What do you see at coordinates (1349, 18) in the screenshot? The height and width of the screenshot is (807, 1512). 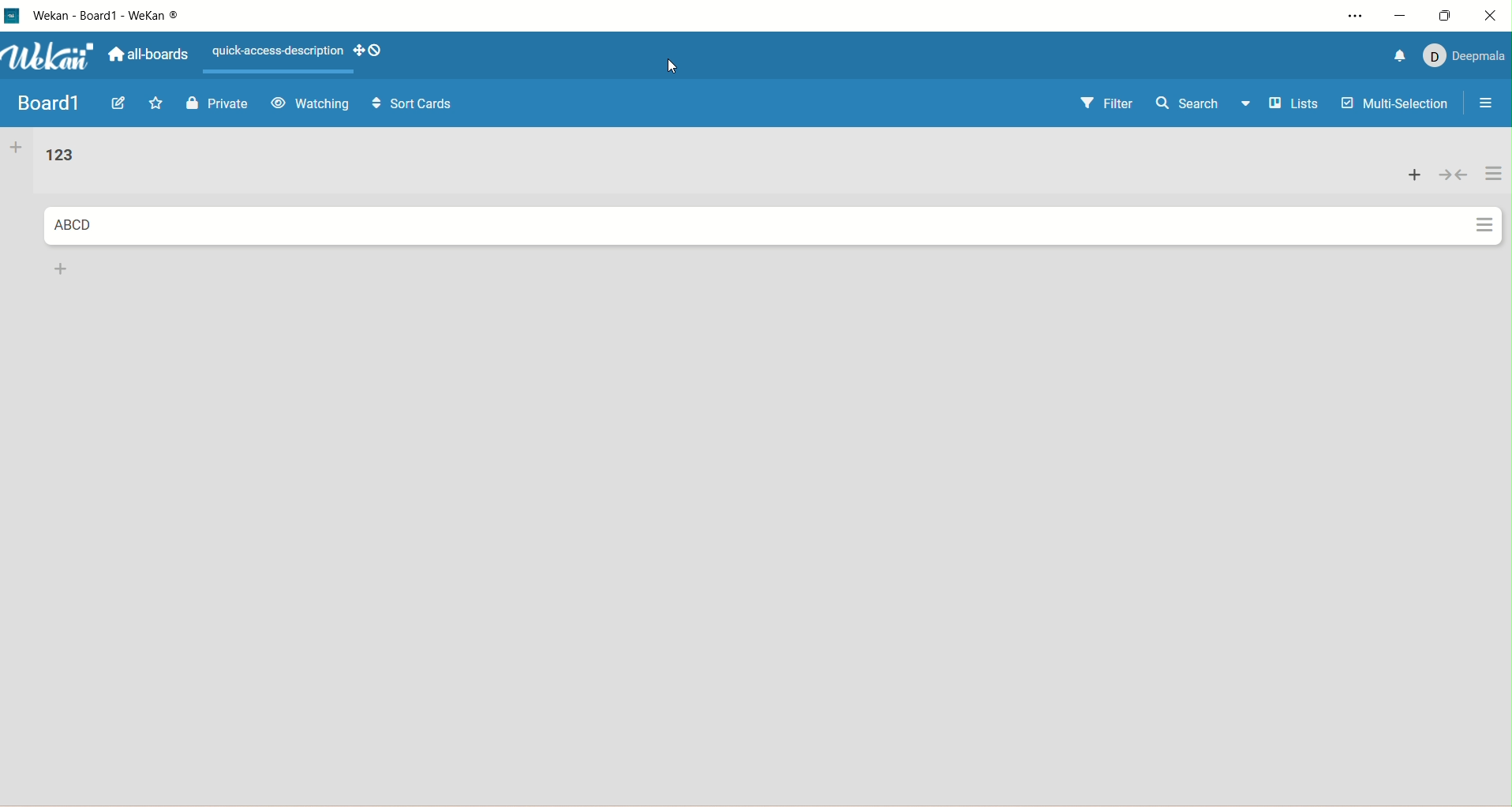 I see `options` at bounding box center [1349, 18].